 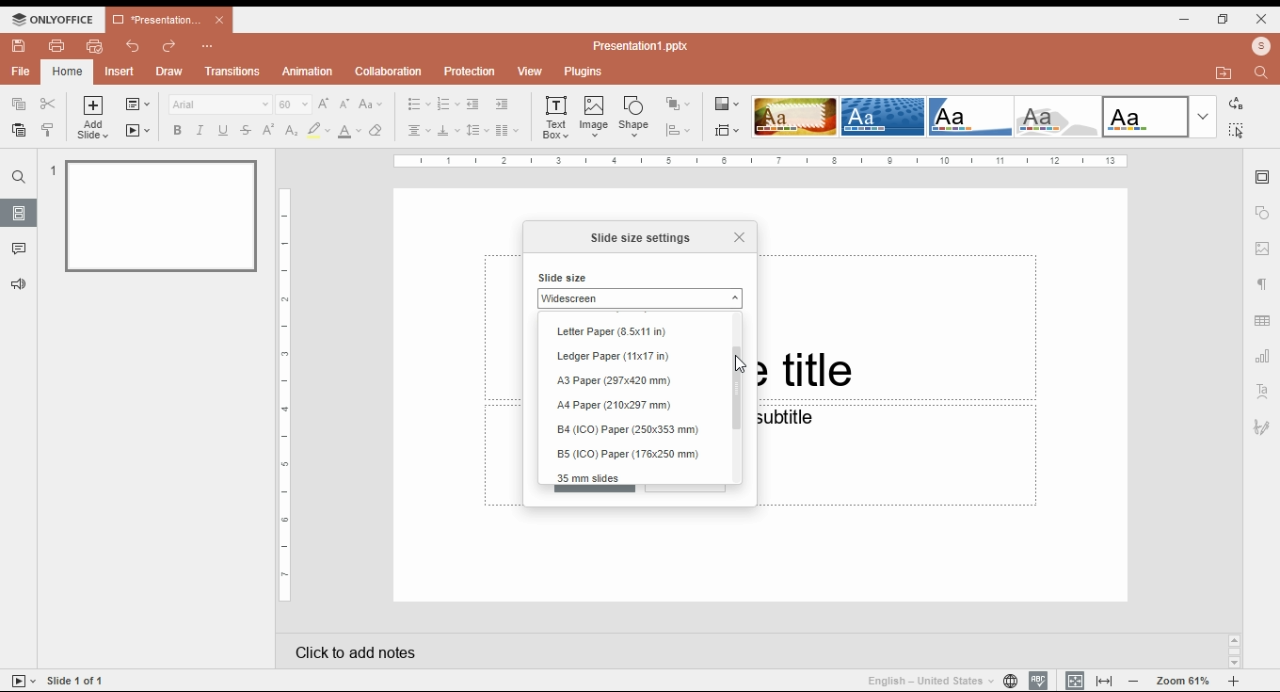 What do you see at coordinates (727, 130) in the screenshot?
I see `change slide size` at bounding box center [727, 130].